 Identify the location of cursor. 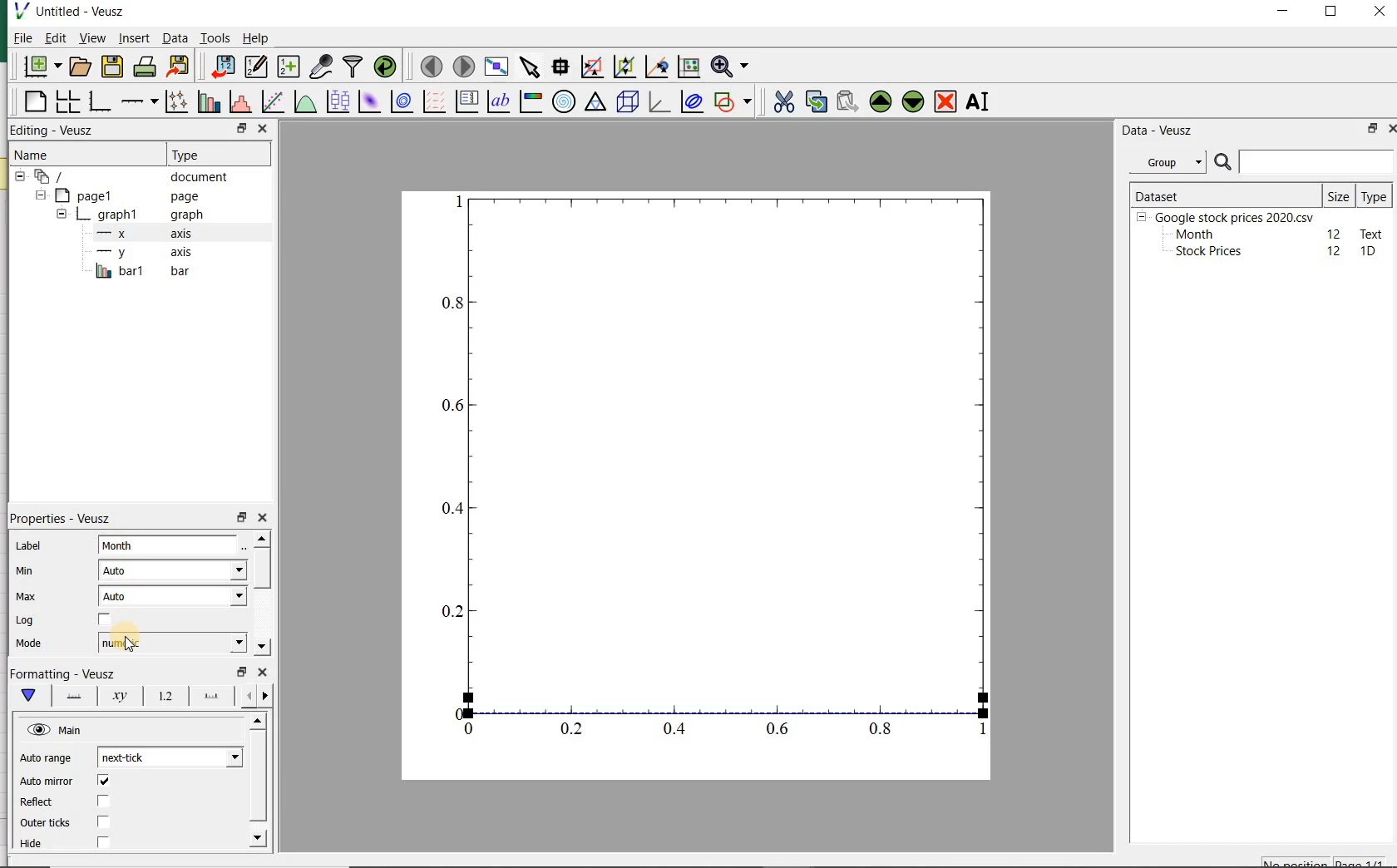
(127, 644).